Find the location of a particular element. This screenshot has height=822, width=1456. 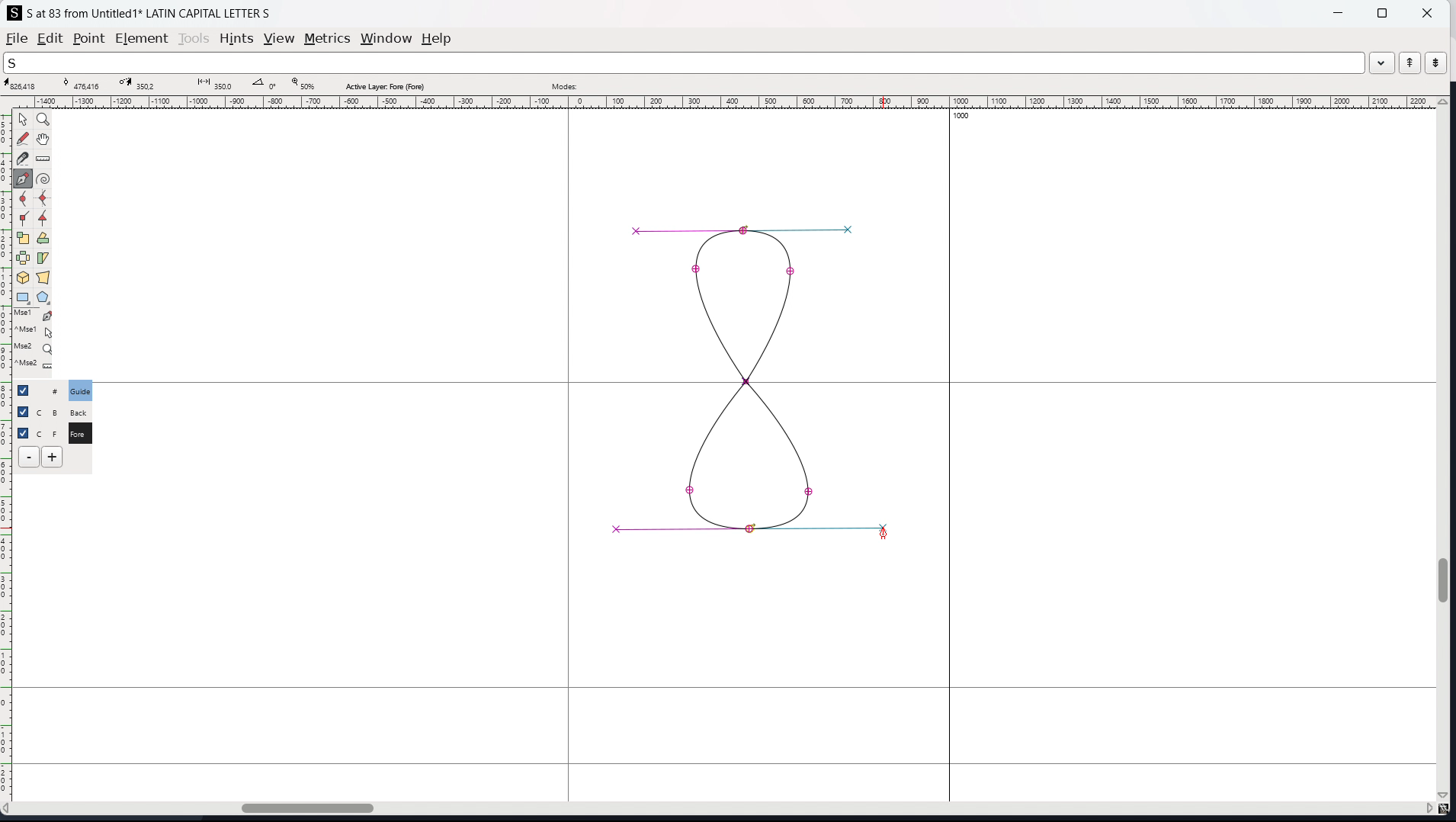

pointer is located at coordinates (24, 119).